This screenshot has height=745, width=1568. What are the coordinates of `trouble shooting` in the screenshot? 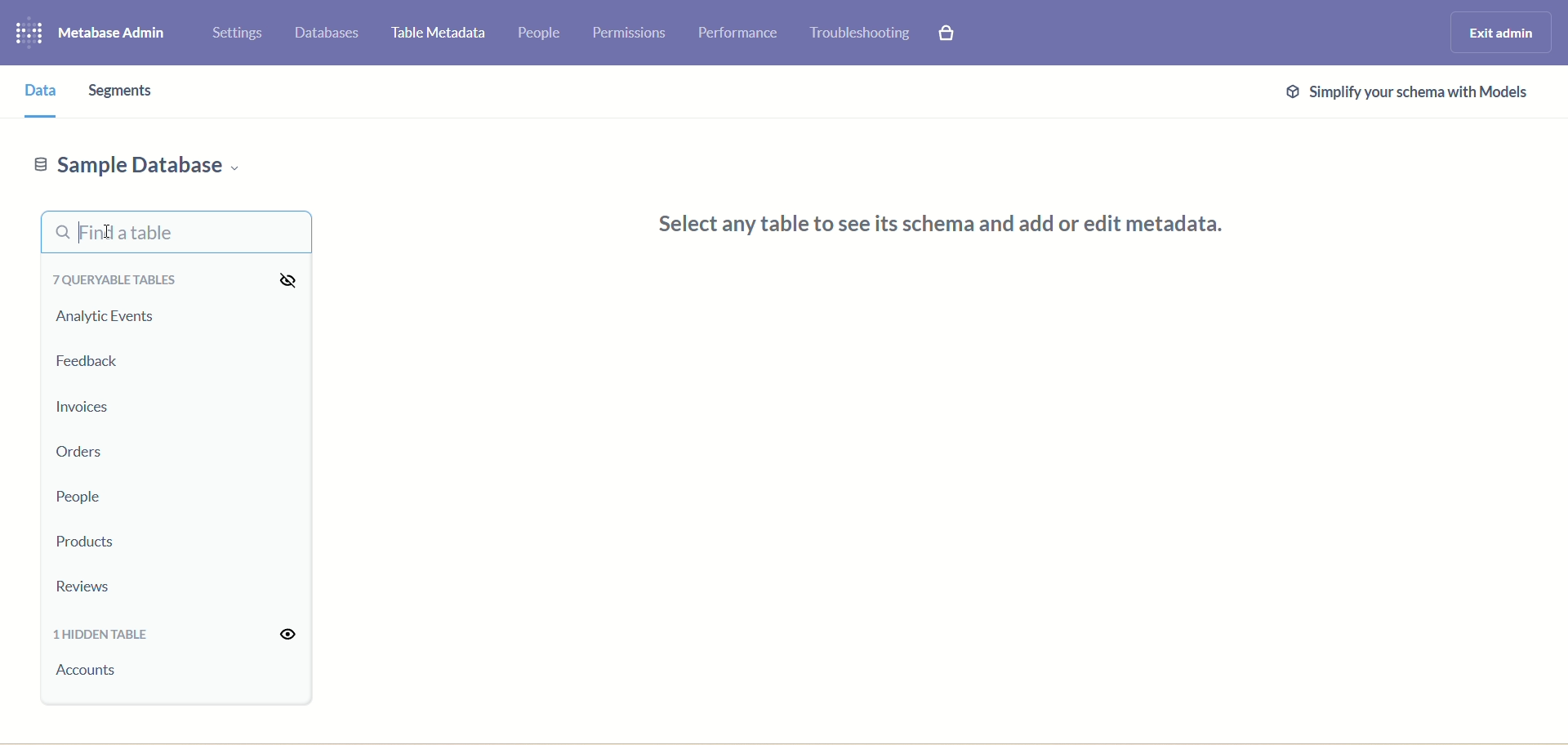 It's located at (858, 33).